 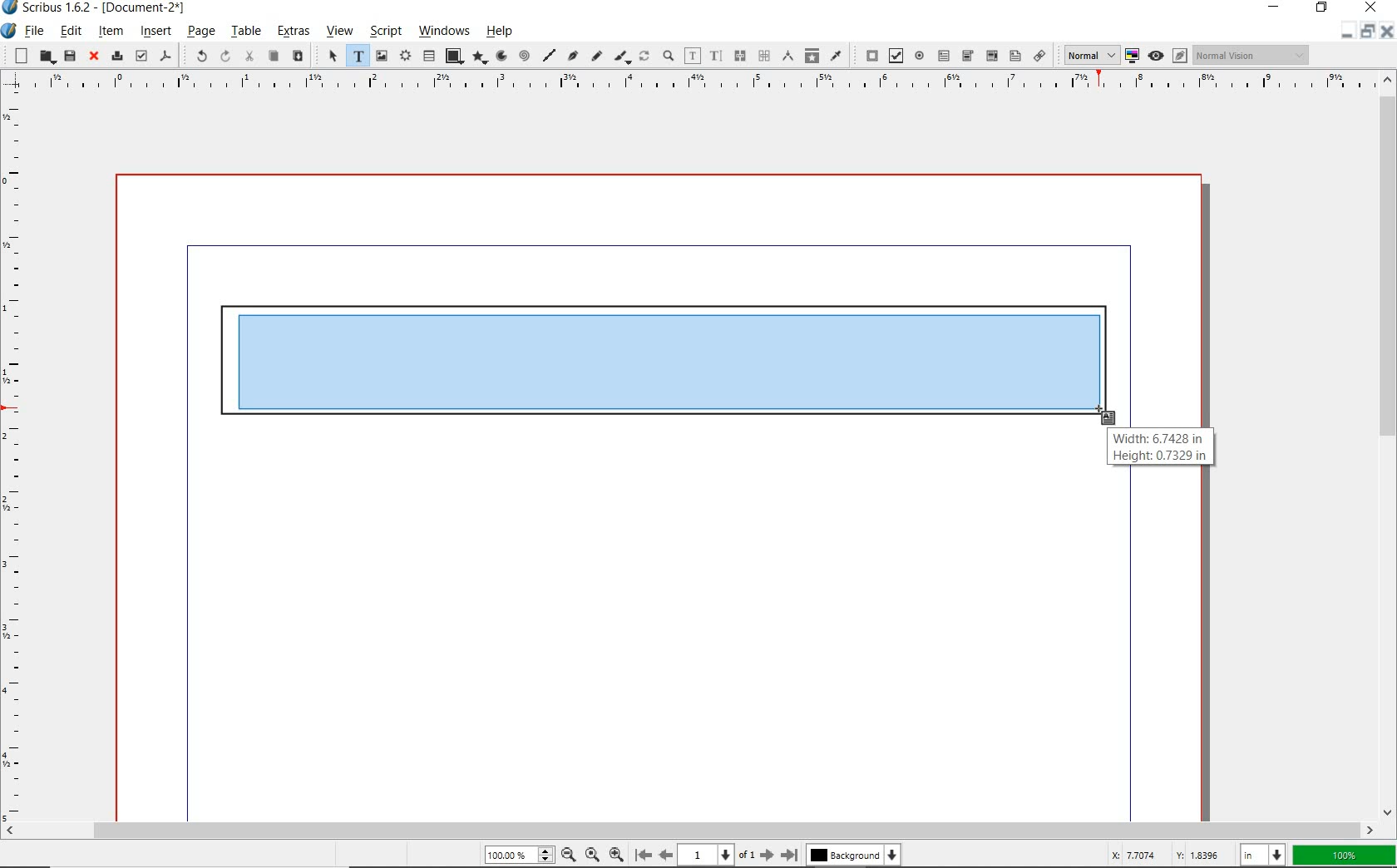 What do you see at coordinates (404, 57) in the screenshot?
I see `render frame` at bounding box center [404, 57].